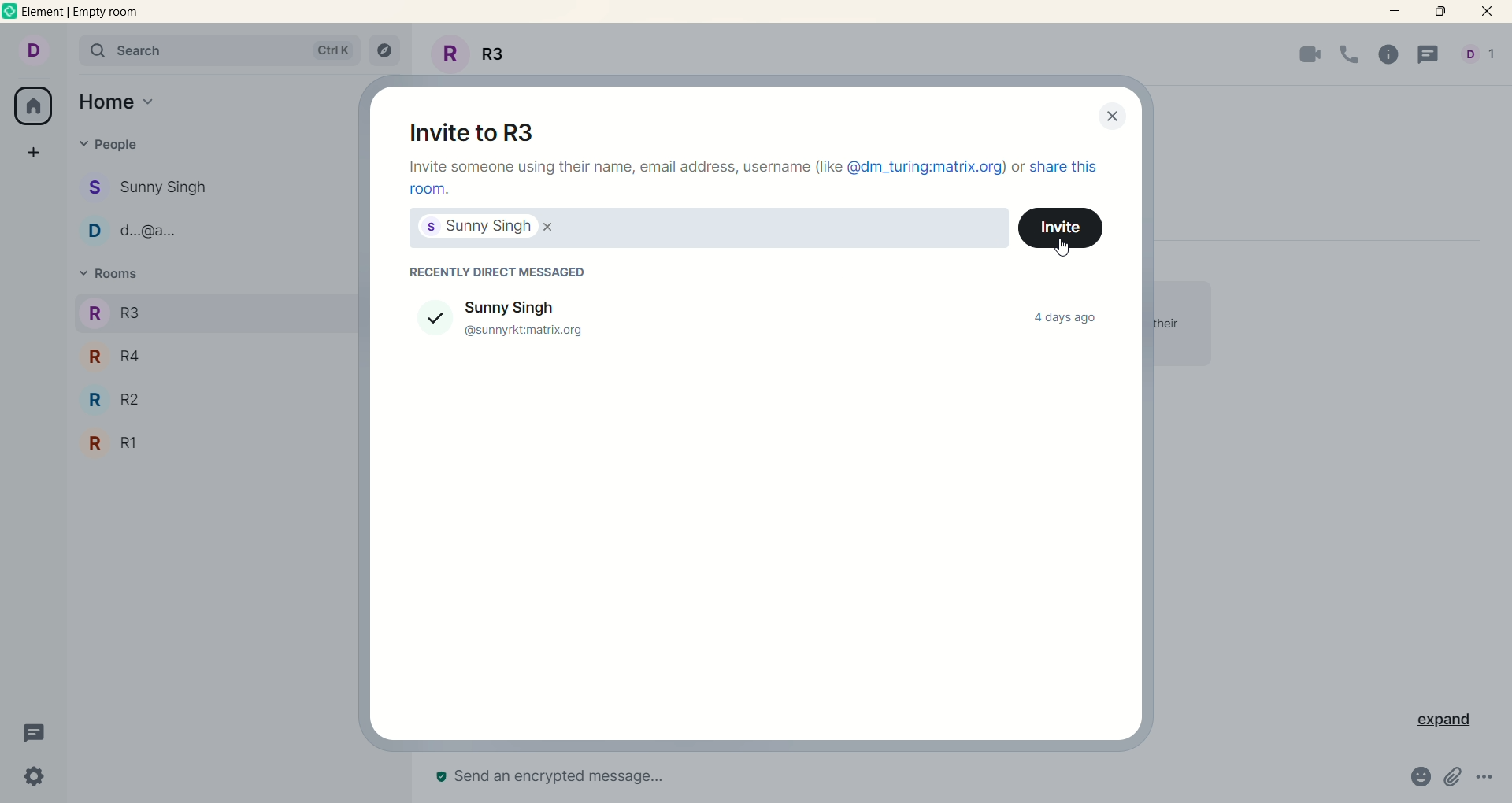  Describe the element at coordinates (109, 148) in the screenshot. I see `people` at that location.